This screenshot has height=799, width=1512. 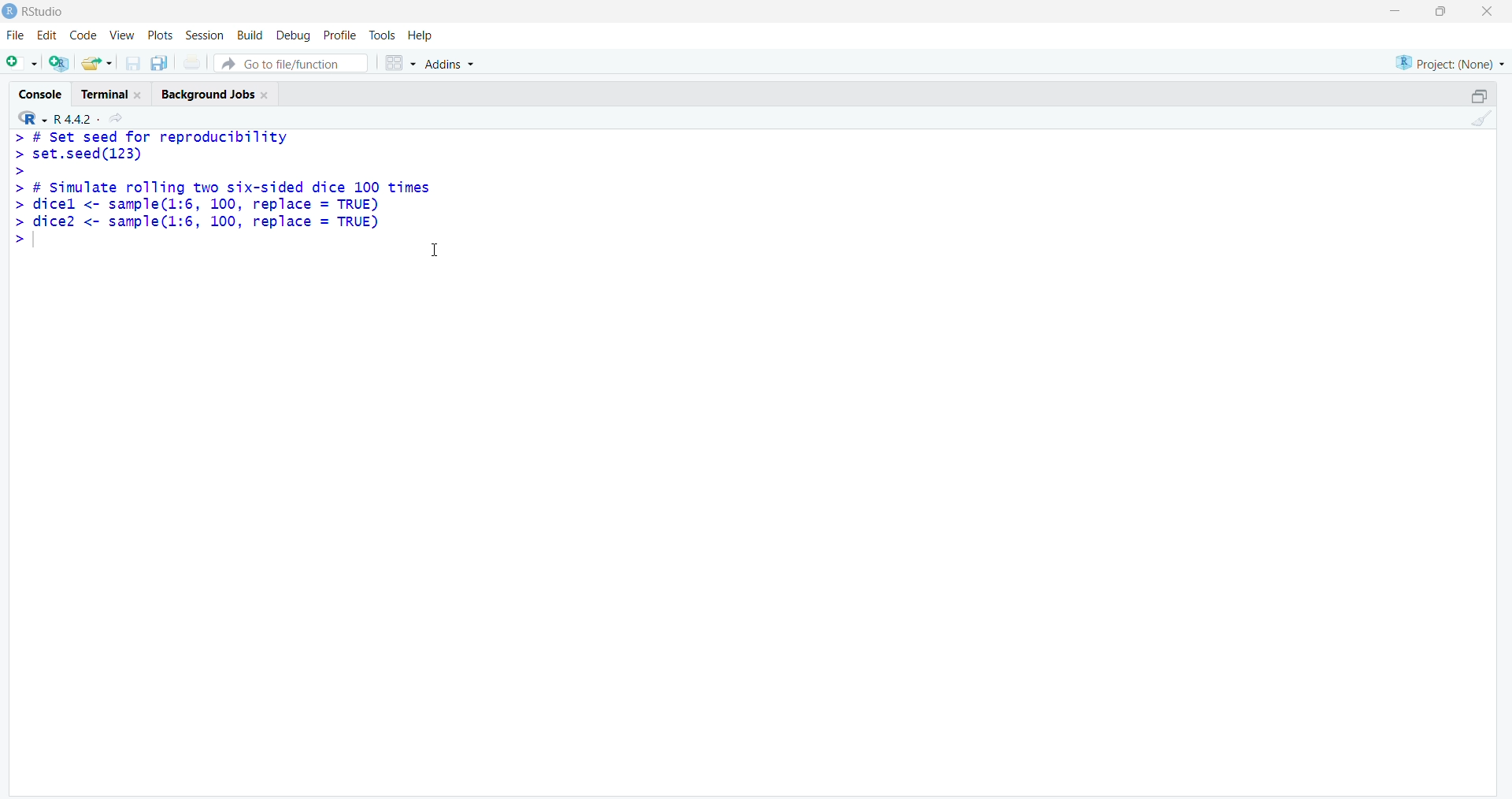 What do you see at coordinates (249, 36) in the screenshot?
I see `build` at bounding box center [249, 36].